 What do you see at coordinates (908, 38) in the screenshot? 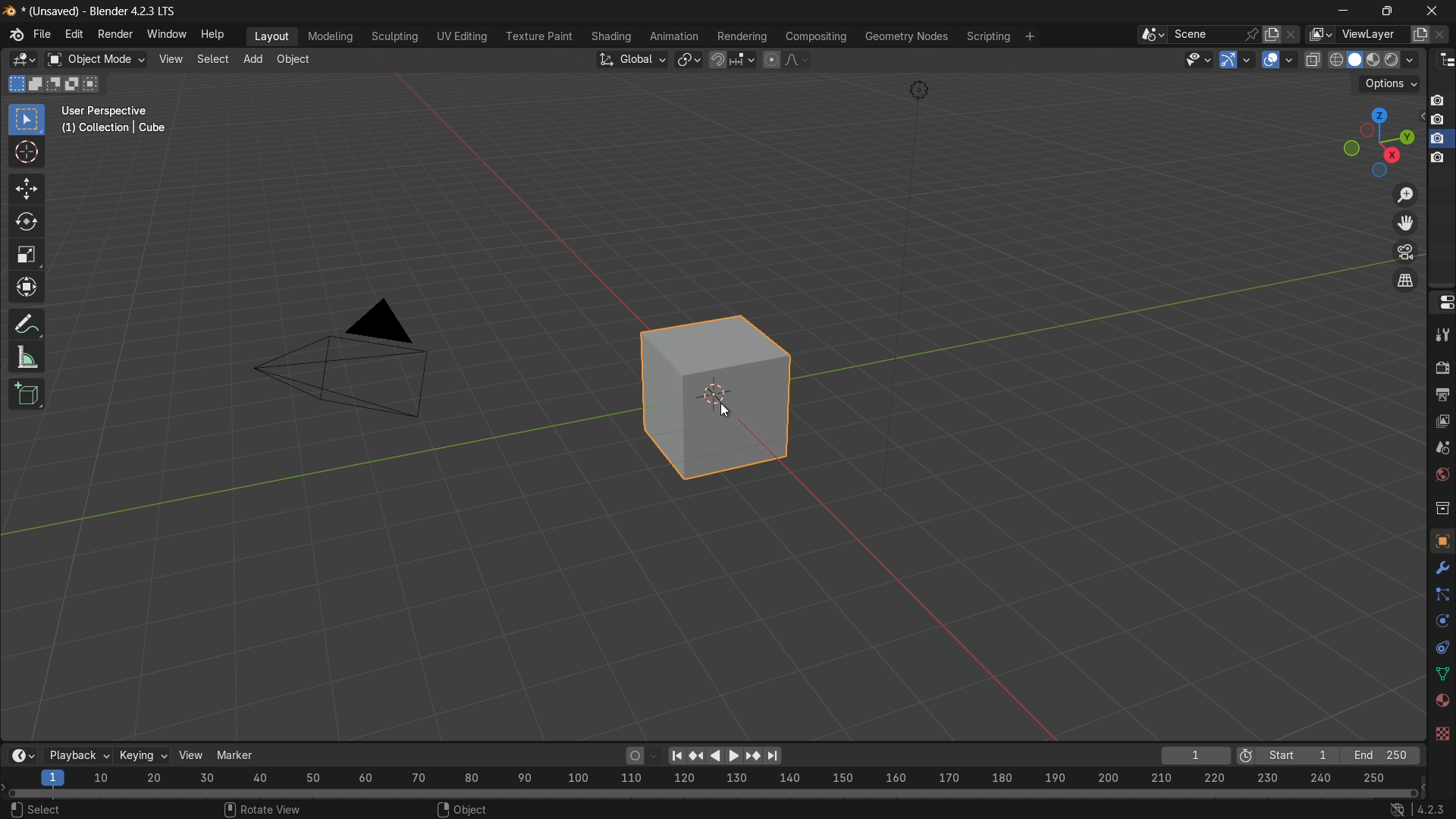
I see `geometry nodes menu` at bounding box center [908, 38].